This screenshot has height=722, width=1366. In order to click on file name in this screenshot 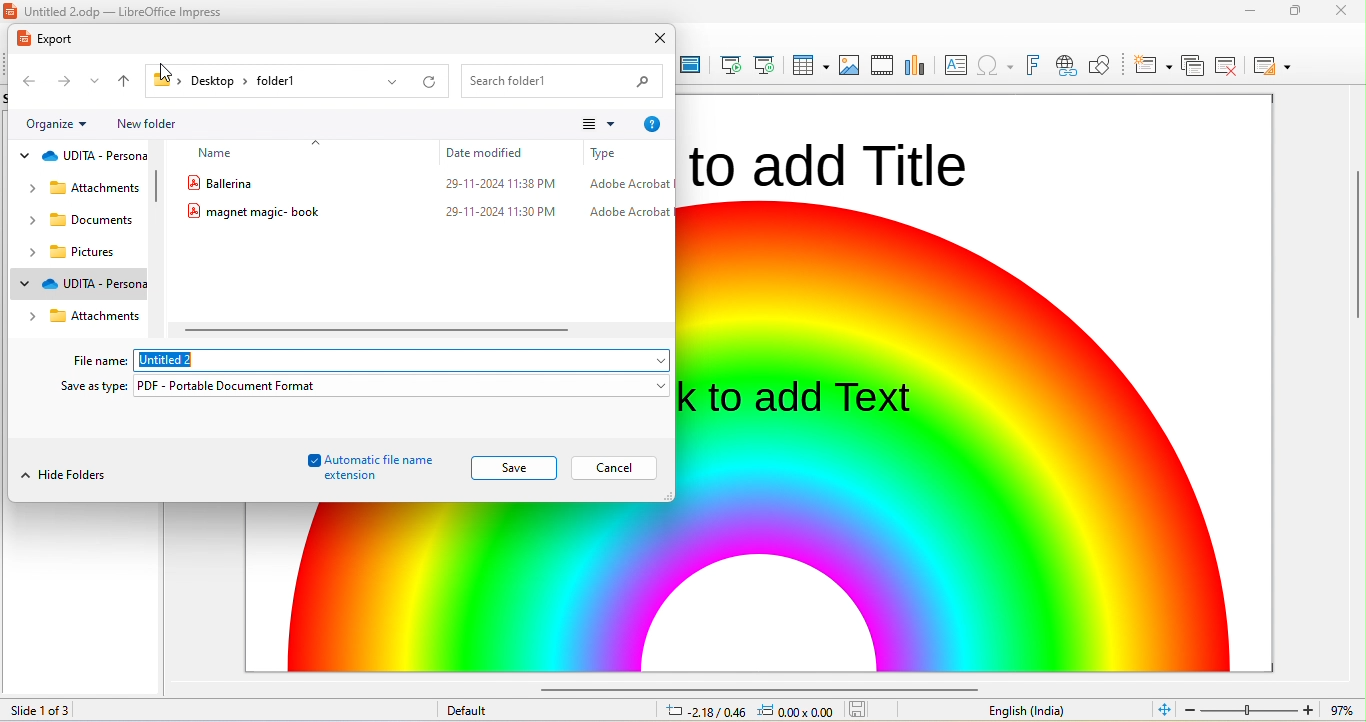, I will do `click(427, 210)`.